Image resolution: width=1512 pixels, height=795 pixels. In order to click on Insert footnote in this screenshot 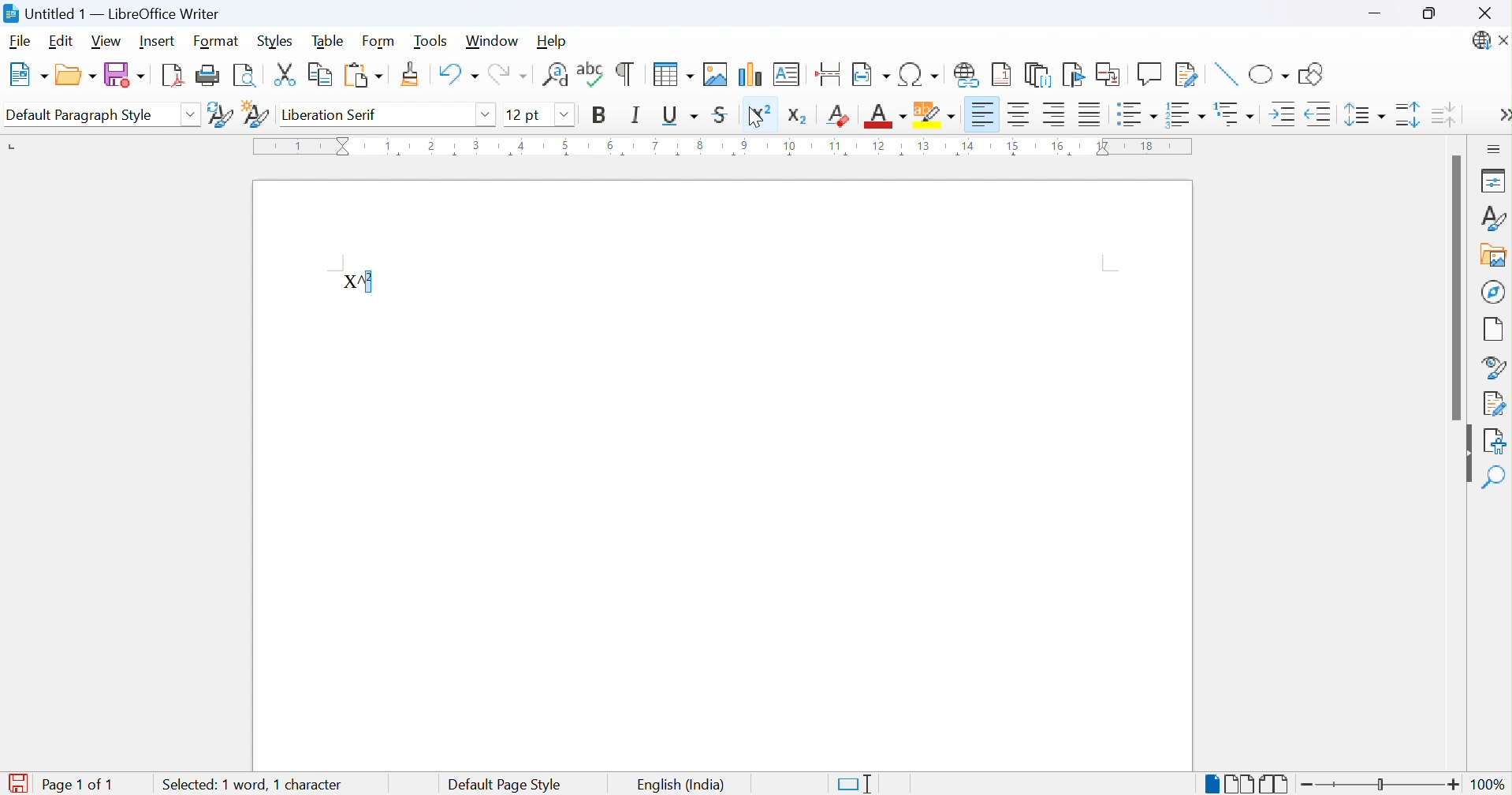, I will do `click(1001, 76)`.